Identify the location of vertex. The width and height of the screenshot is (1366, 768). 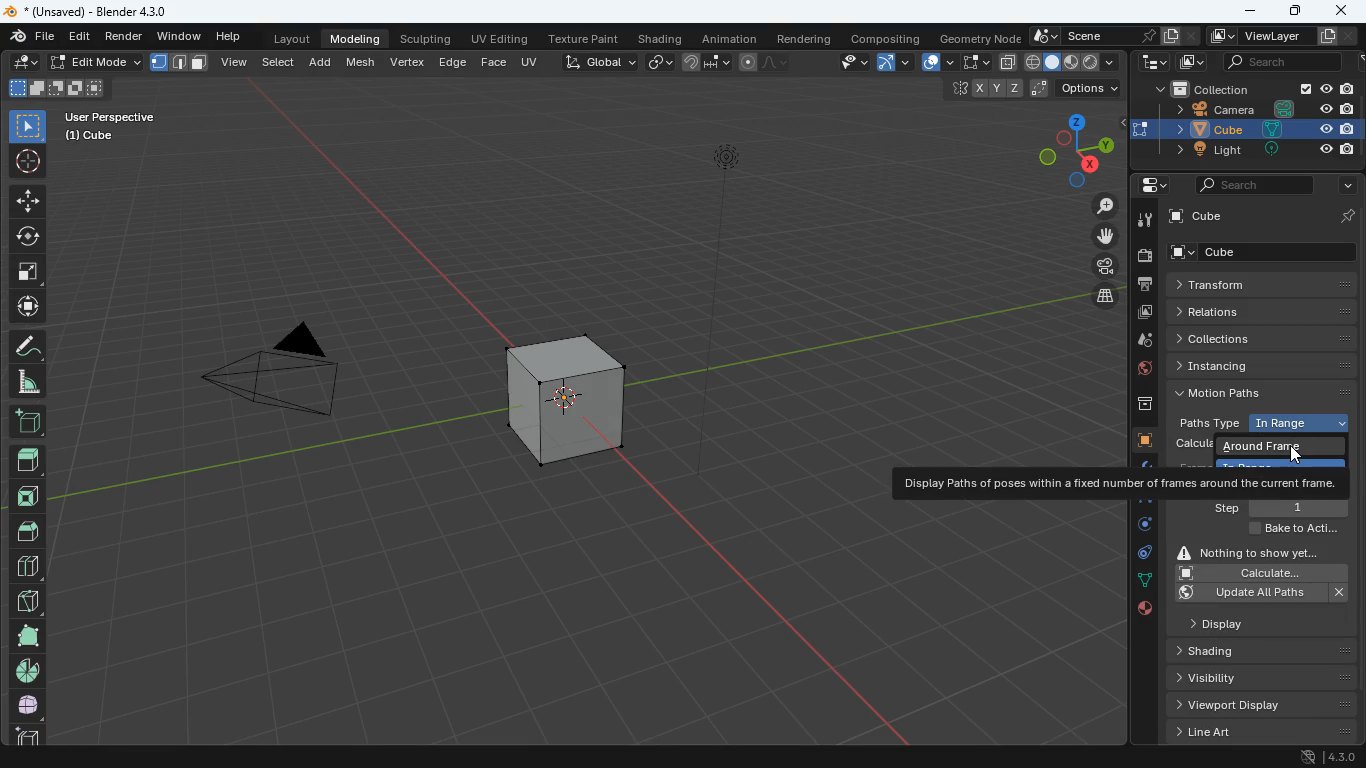
(407, 61).